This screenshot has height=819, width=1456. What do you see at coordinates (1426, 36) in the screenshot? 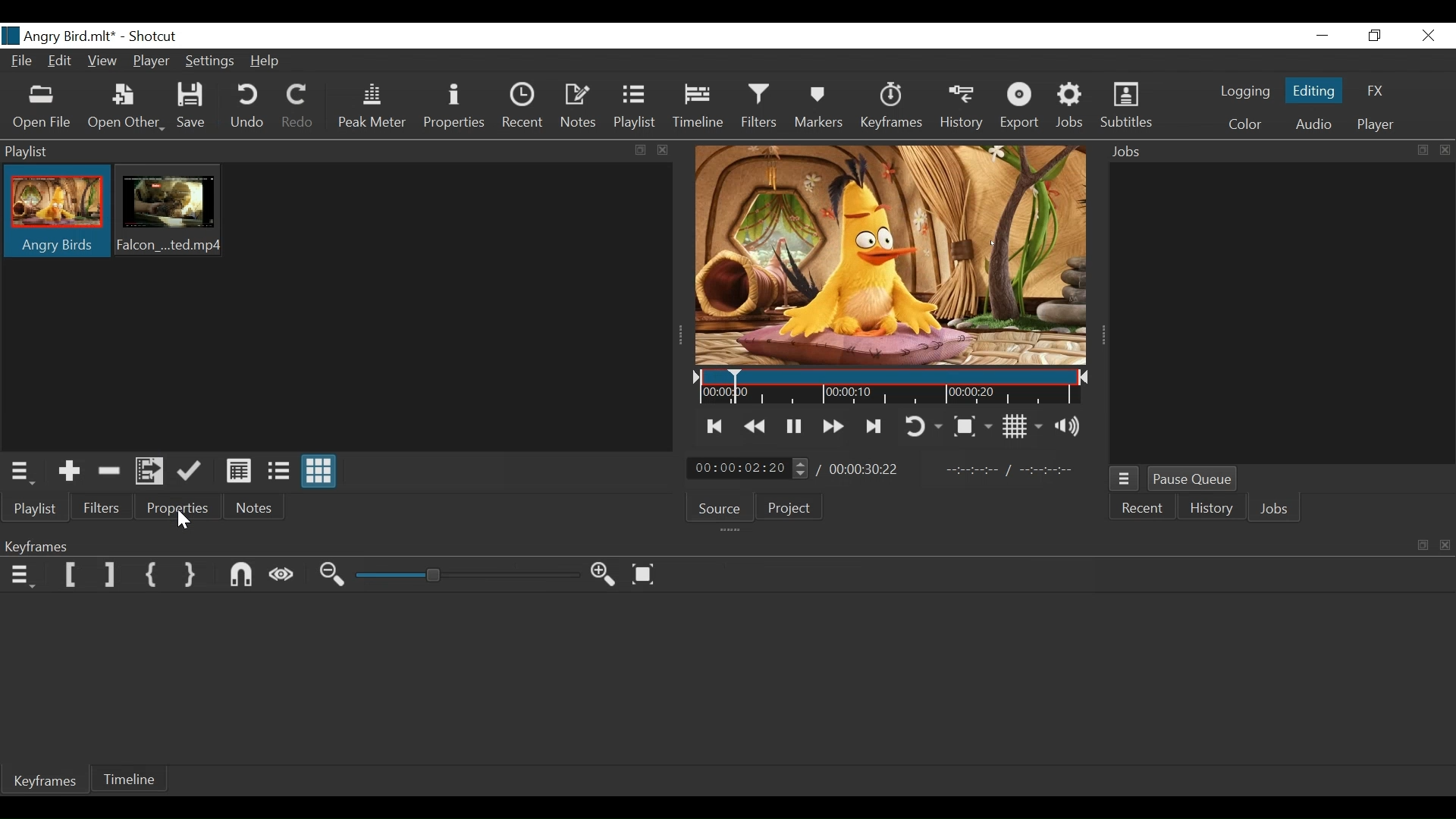
I see `Close` at bounding box center [1426, 36].